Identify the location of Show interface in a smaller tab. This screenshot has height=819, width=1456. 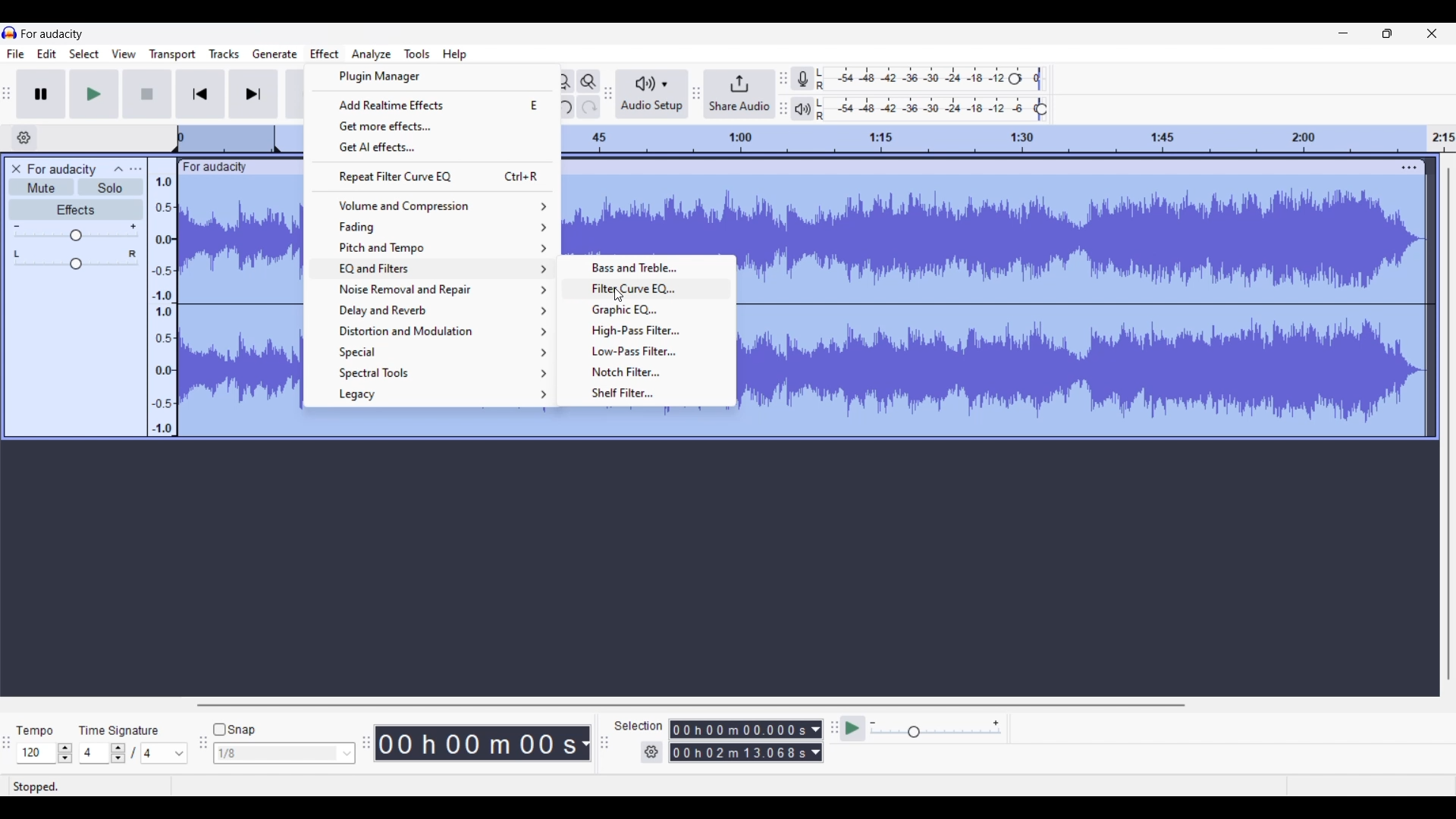
(1387, 33).